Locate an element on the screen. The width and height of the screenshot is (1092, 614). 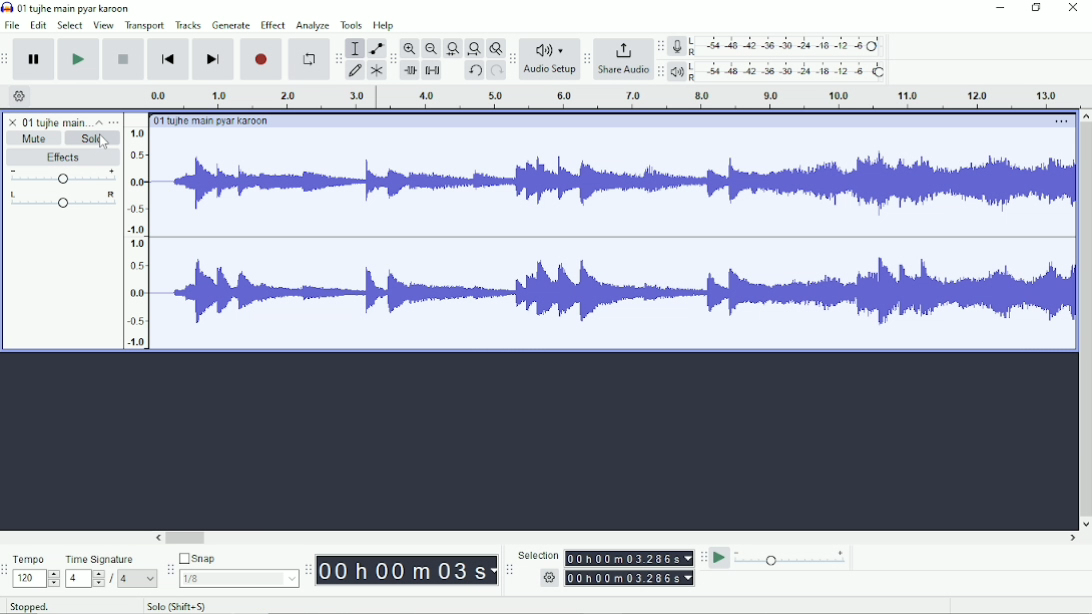
Minimize is located at coordinates (1001, 8).